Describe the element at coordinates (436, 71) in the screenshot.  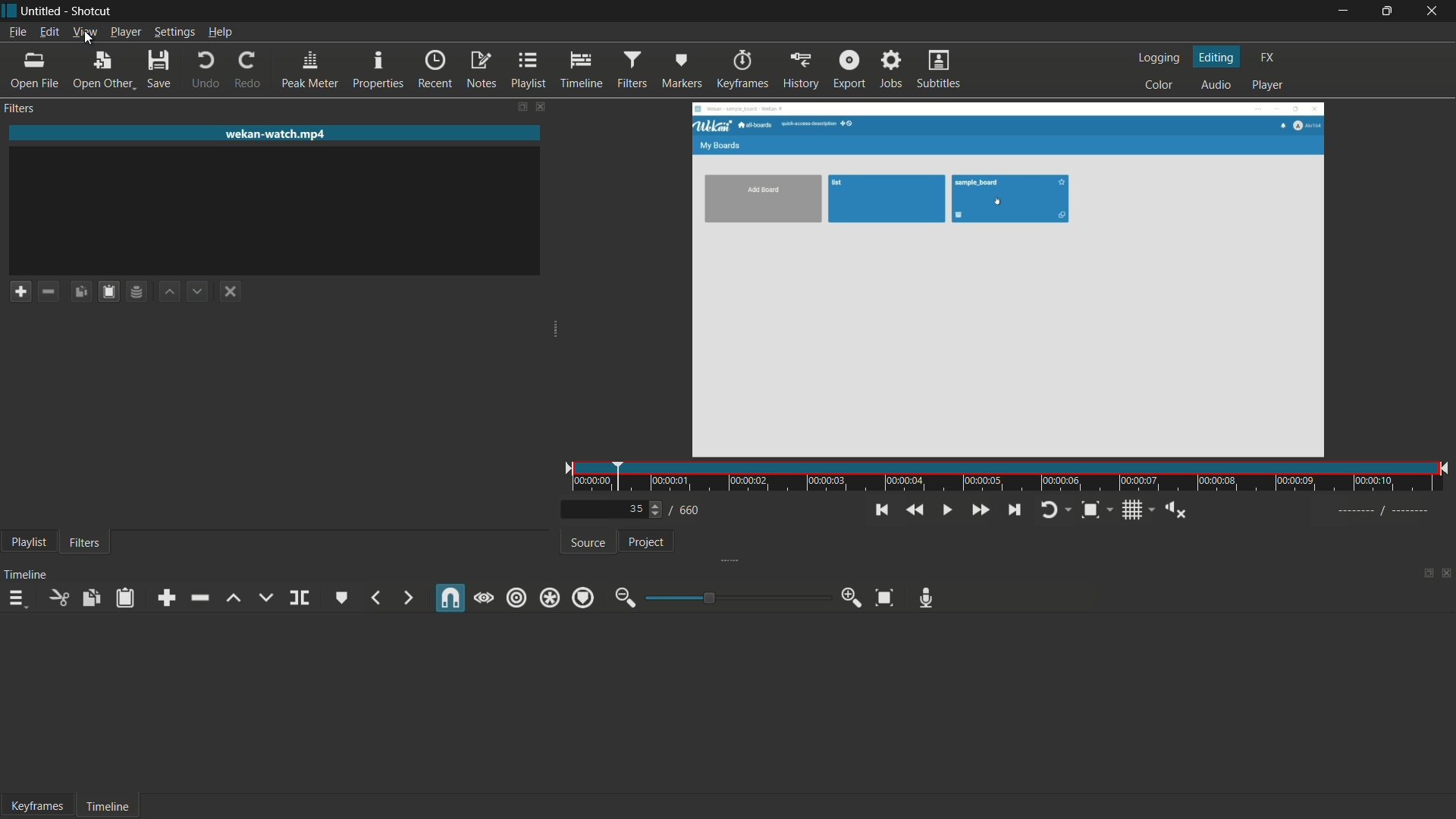
I see `recent` at that location.